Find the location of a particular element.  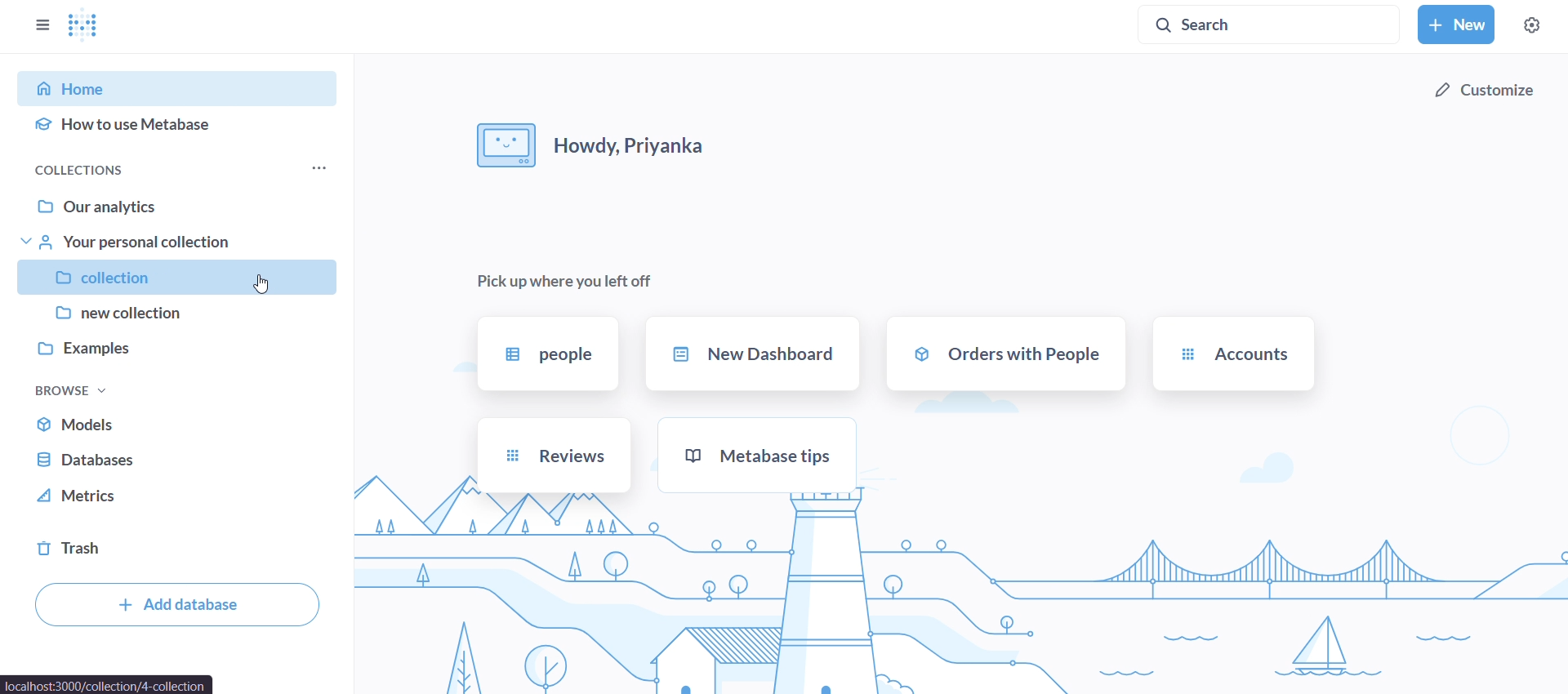

logo is located at coordinates (91, 26).